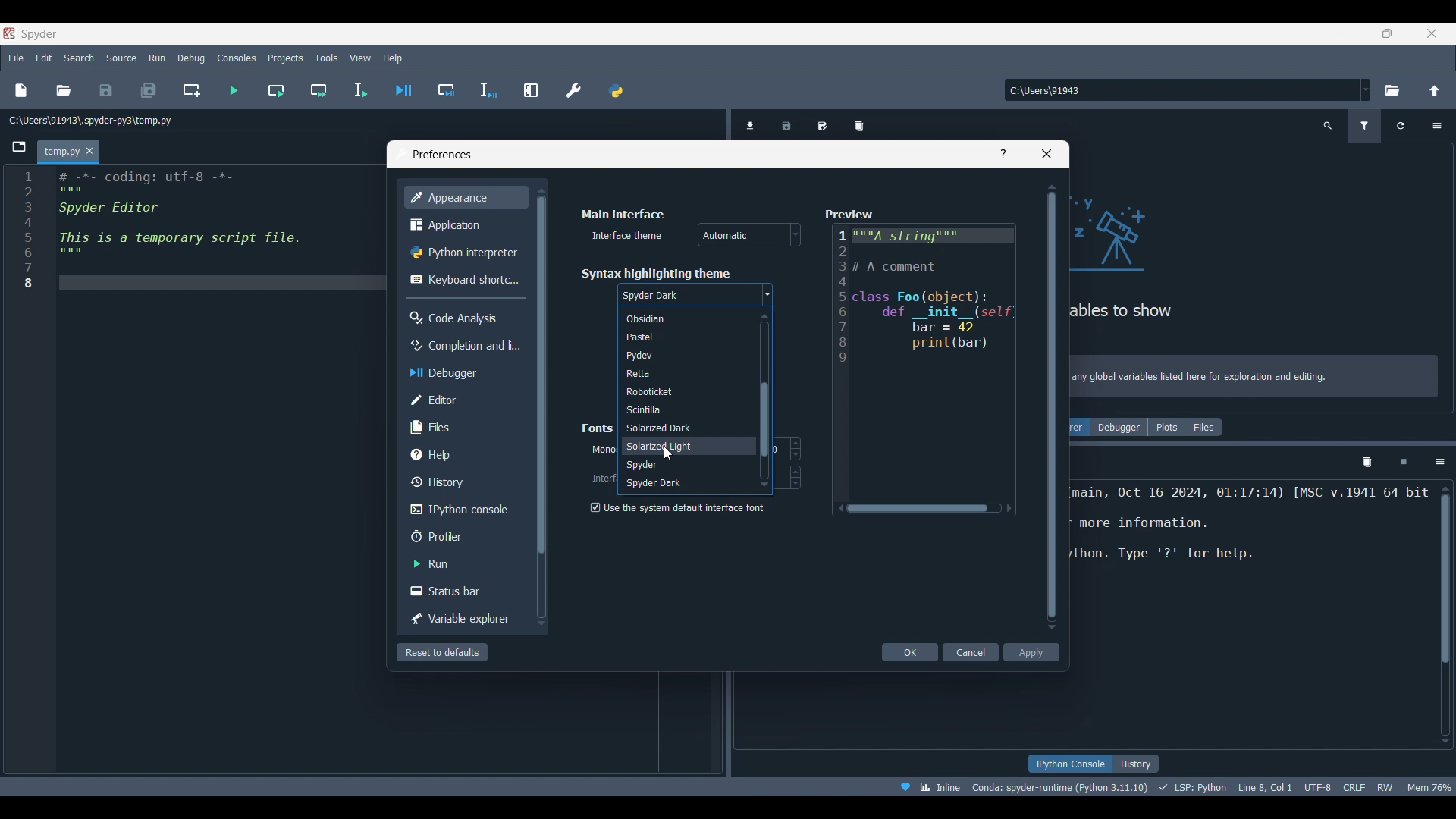  What do you see at coordinates (1057, 787) in the screenshot?
I see `interpreter` at bounding box center [1057, 787].